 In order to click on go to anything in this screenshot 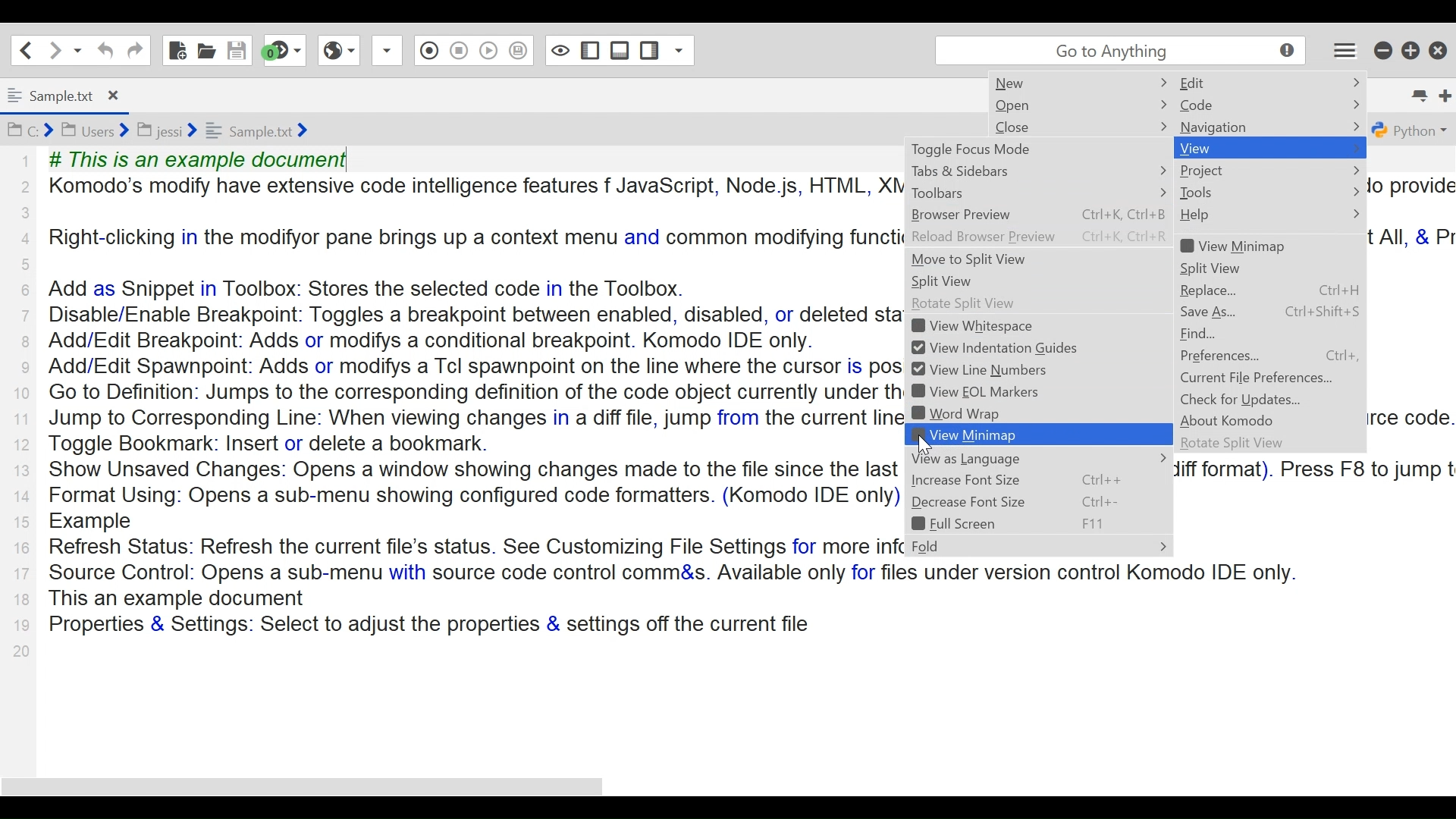, I will do `click(1116, 53)`.